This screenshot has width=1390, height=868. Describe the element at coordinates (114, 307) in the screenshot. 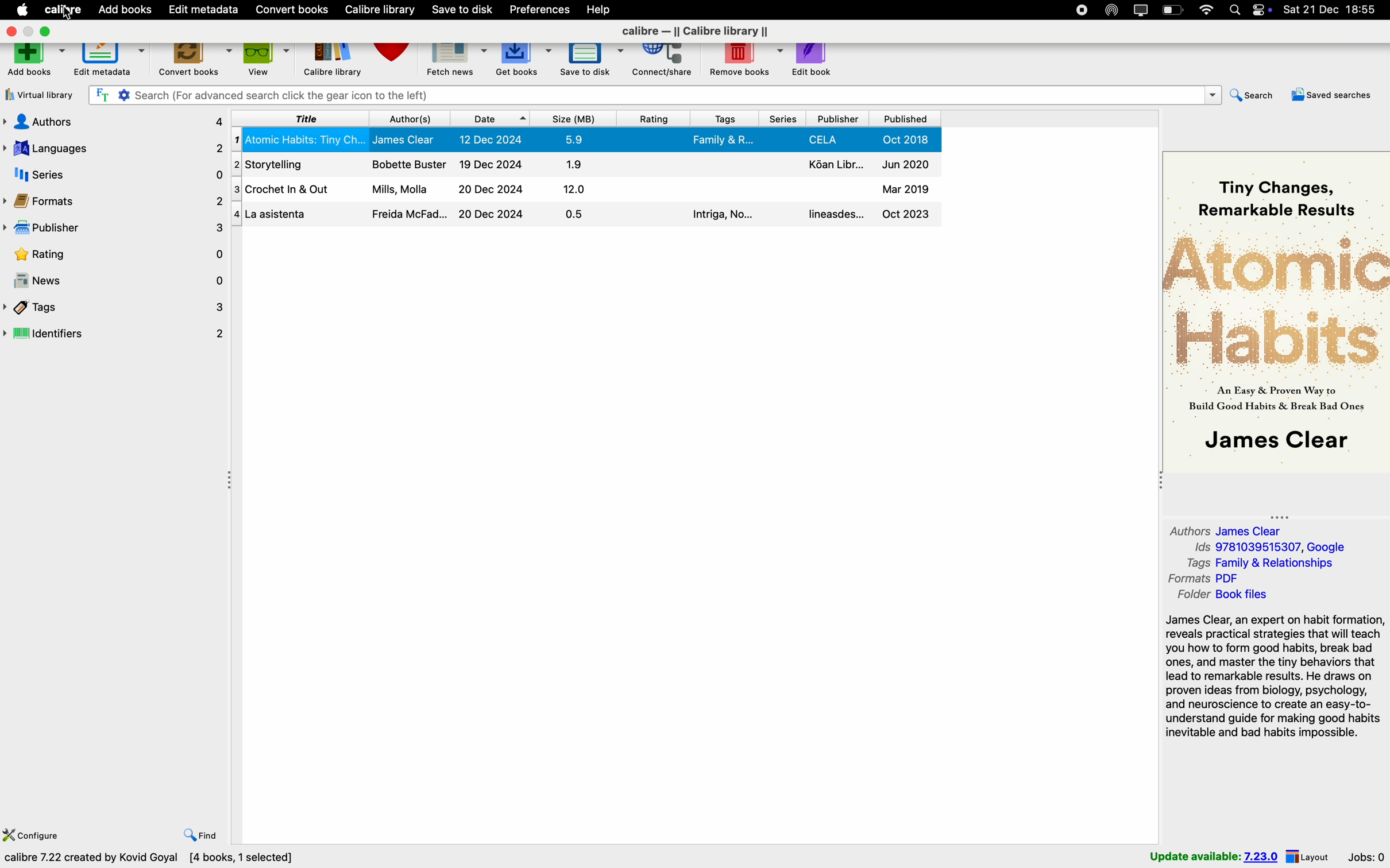

I see `tags` at that location.